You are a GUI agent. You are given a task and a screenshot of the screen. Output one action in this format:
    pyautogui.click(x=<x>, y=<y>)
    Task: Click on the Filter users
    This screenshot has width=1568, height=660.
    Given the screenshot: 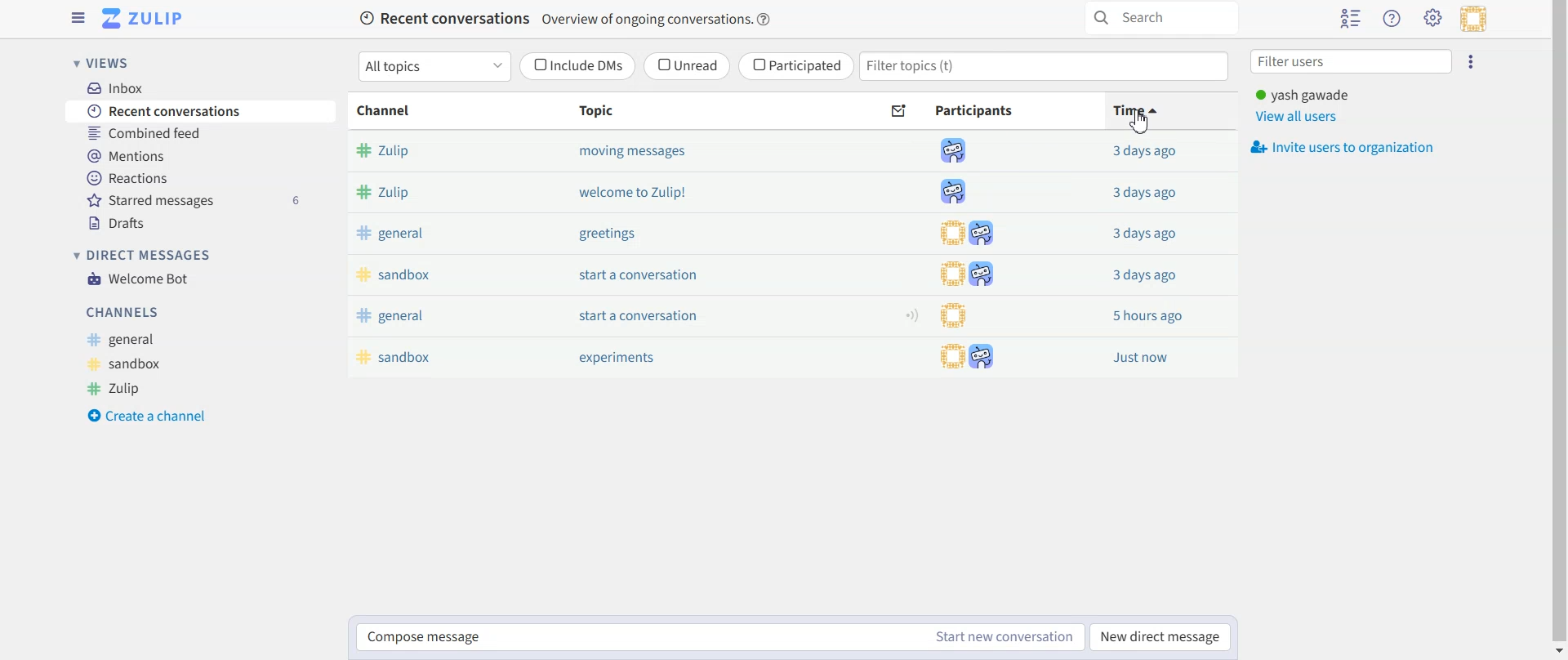 What is the action you would take?
    pyautogui.click(x=1353, y=60)
    